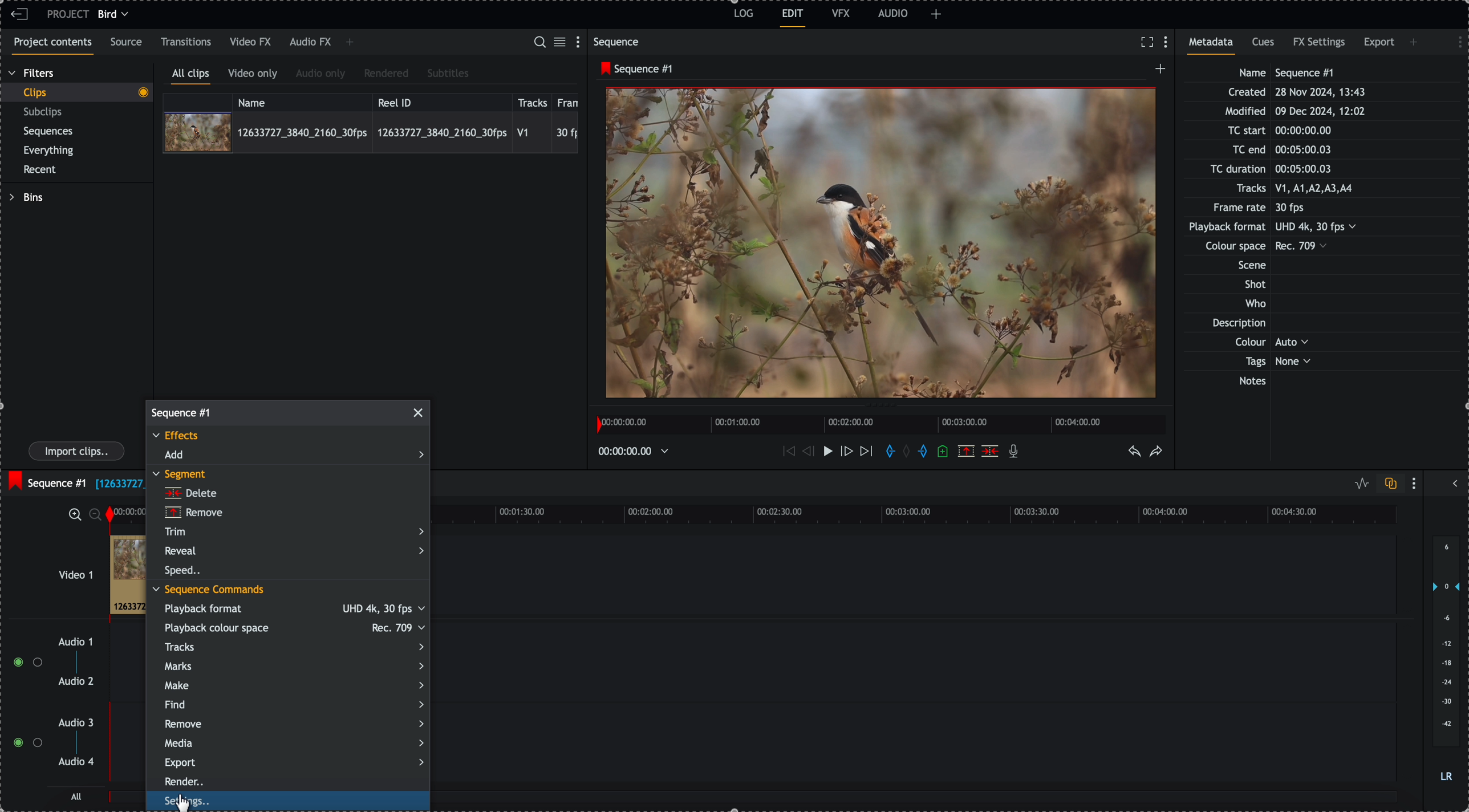 The width and height of the screenshot is (1469, 812). I want to click on file, so click(117, 485).